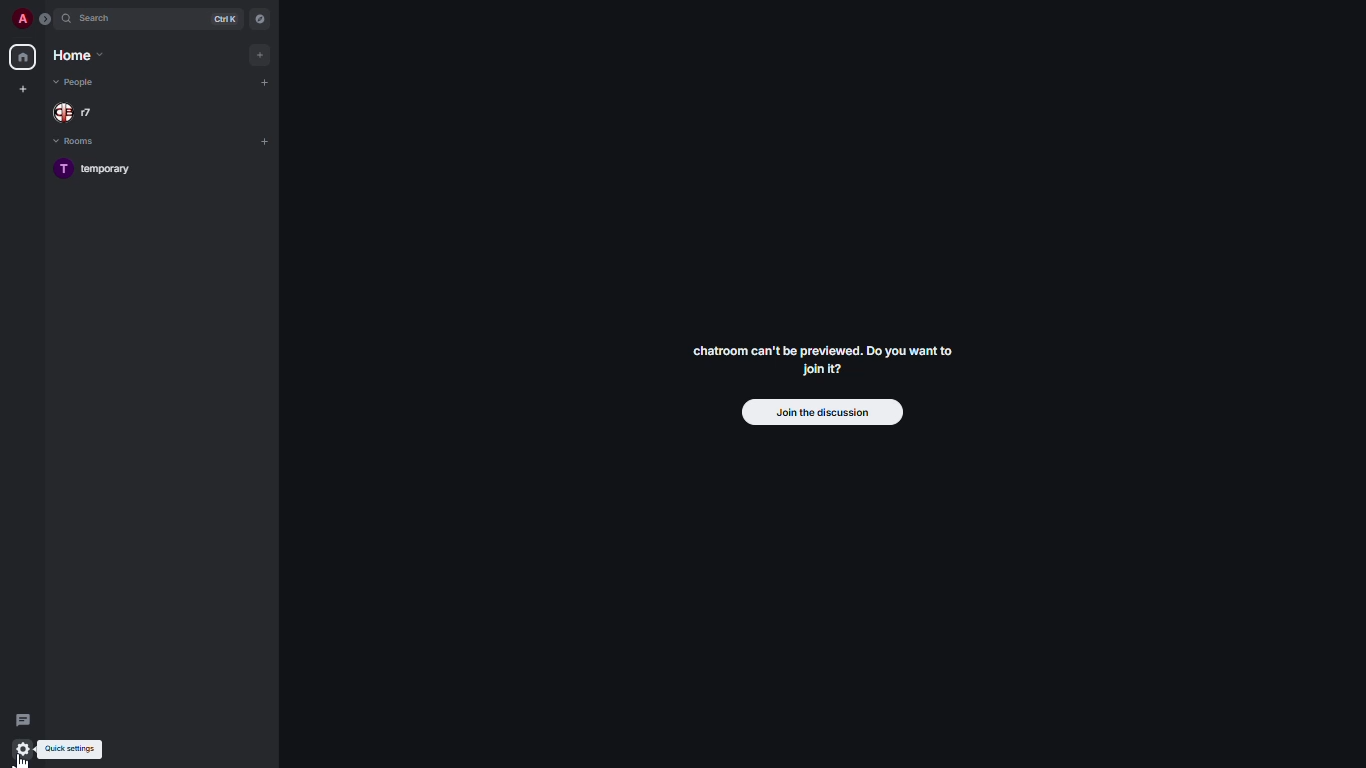 The height and width of the screenshot is (768, 1366). What do you see at coordinates (264, 81) in the screenshot?
I see `add` at bounding box center [264, 81].